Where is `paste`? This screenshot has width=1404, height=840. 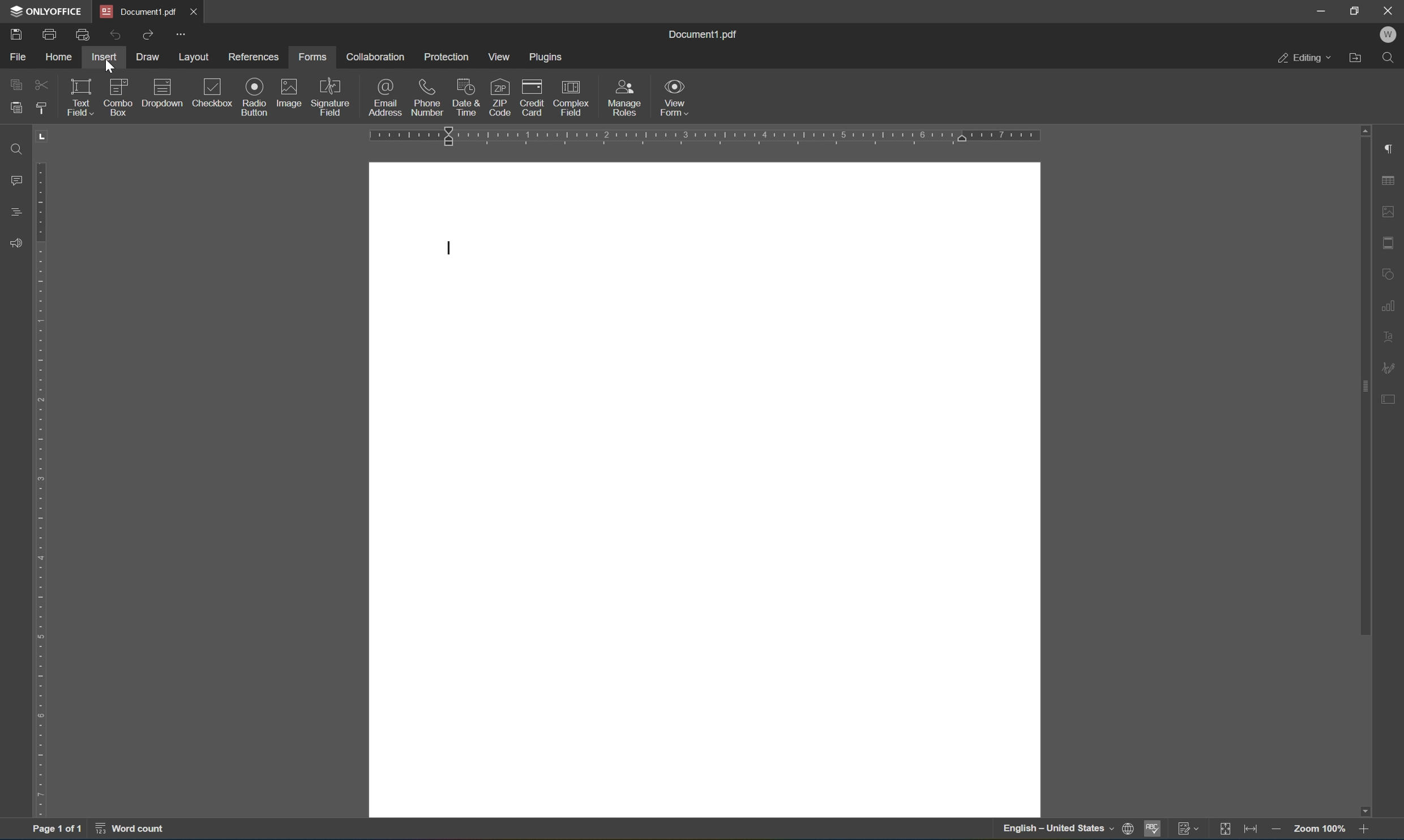 paste is located at coordinates (15, 110).